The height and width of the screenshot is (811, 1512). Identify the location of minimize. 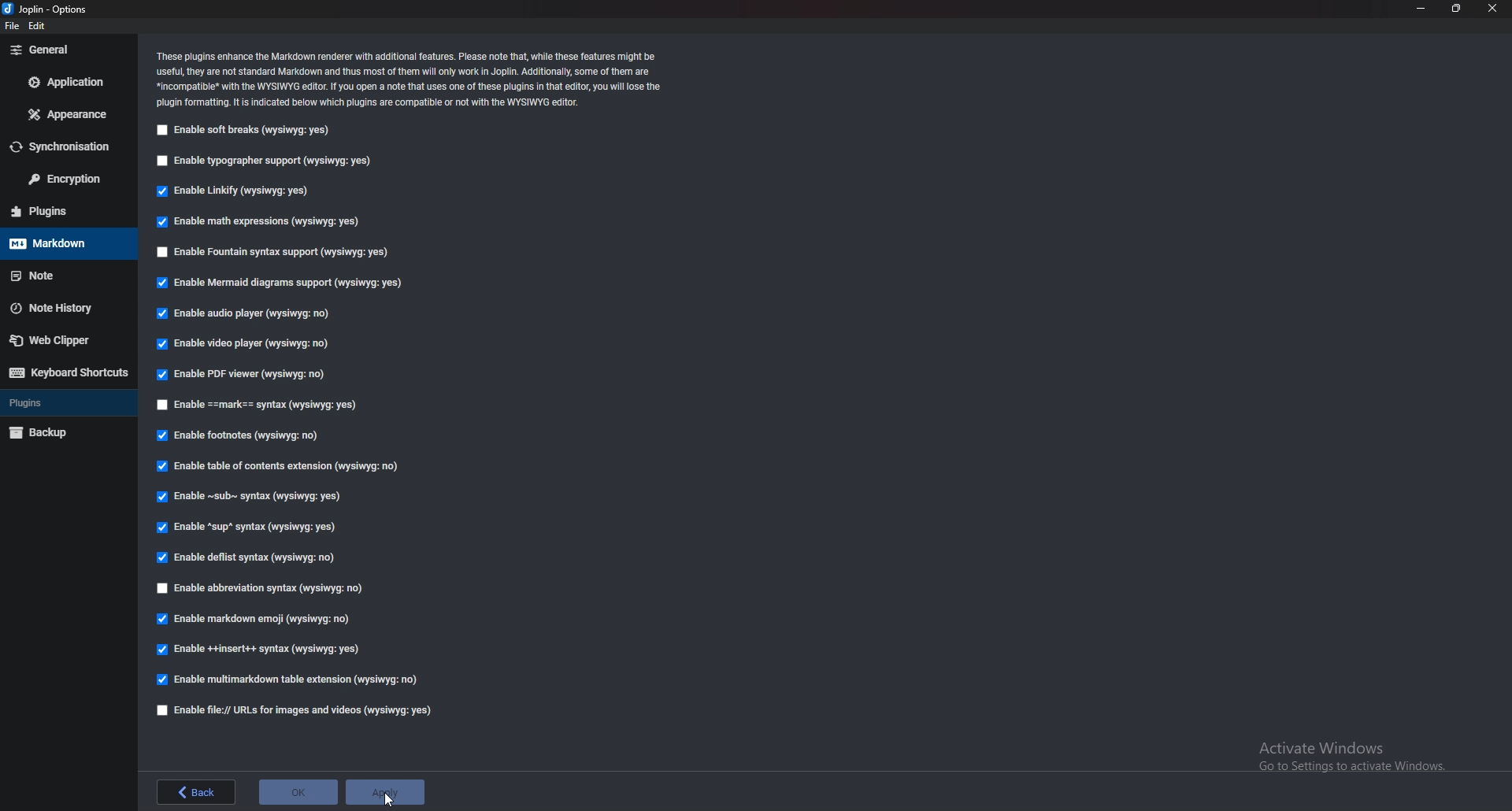
(1421, 8).